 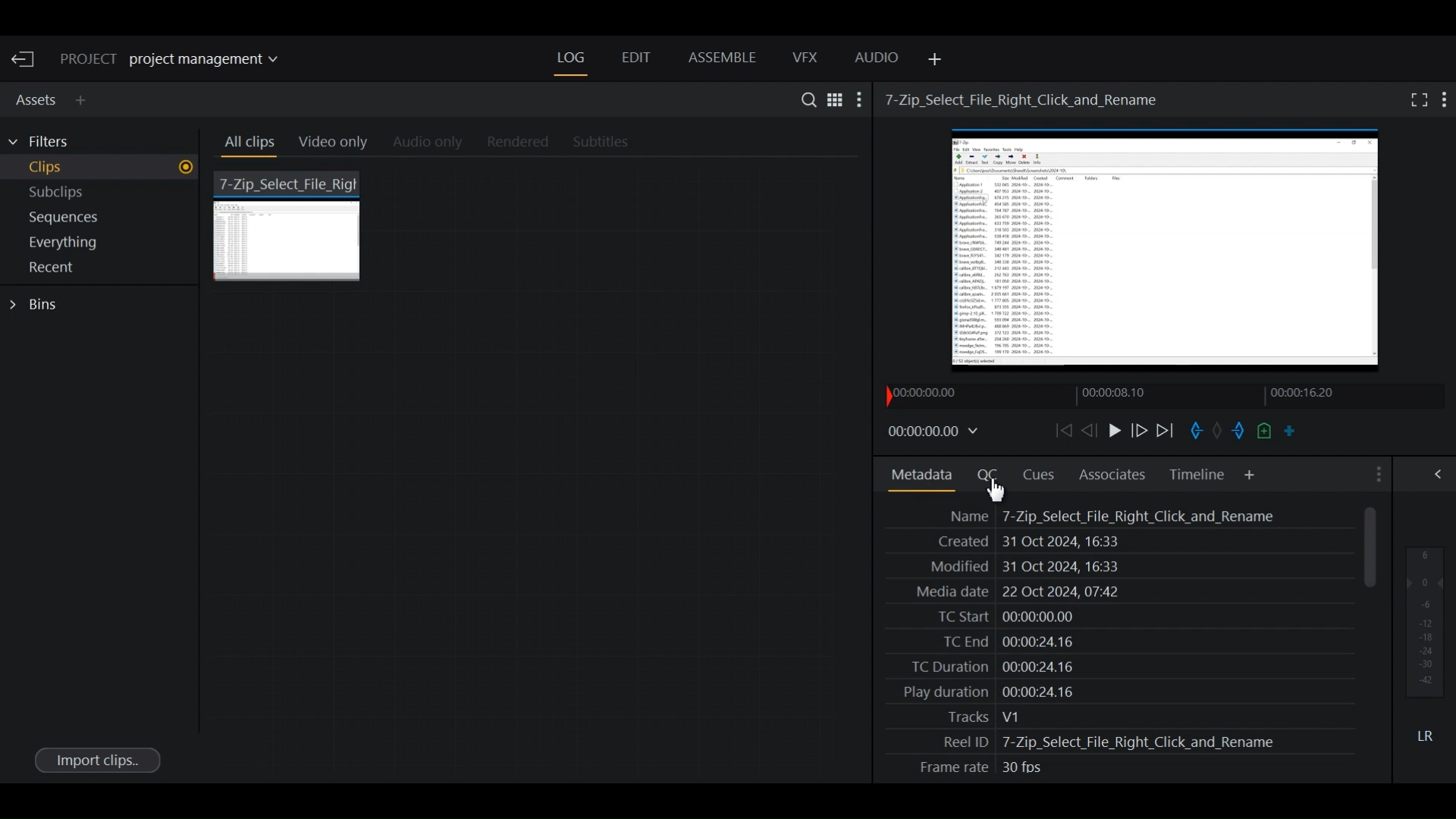 What do you see at coordinates (1025, 99) in the screenshot?
I see `Video Name` at bounding box center [1025, 99].